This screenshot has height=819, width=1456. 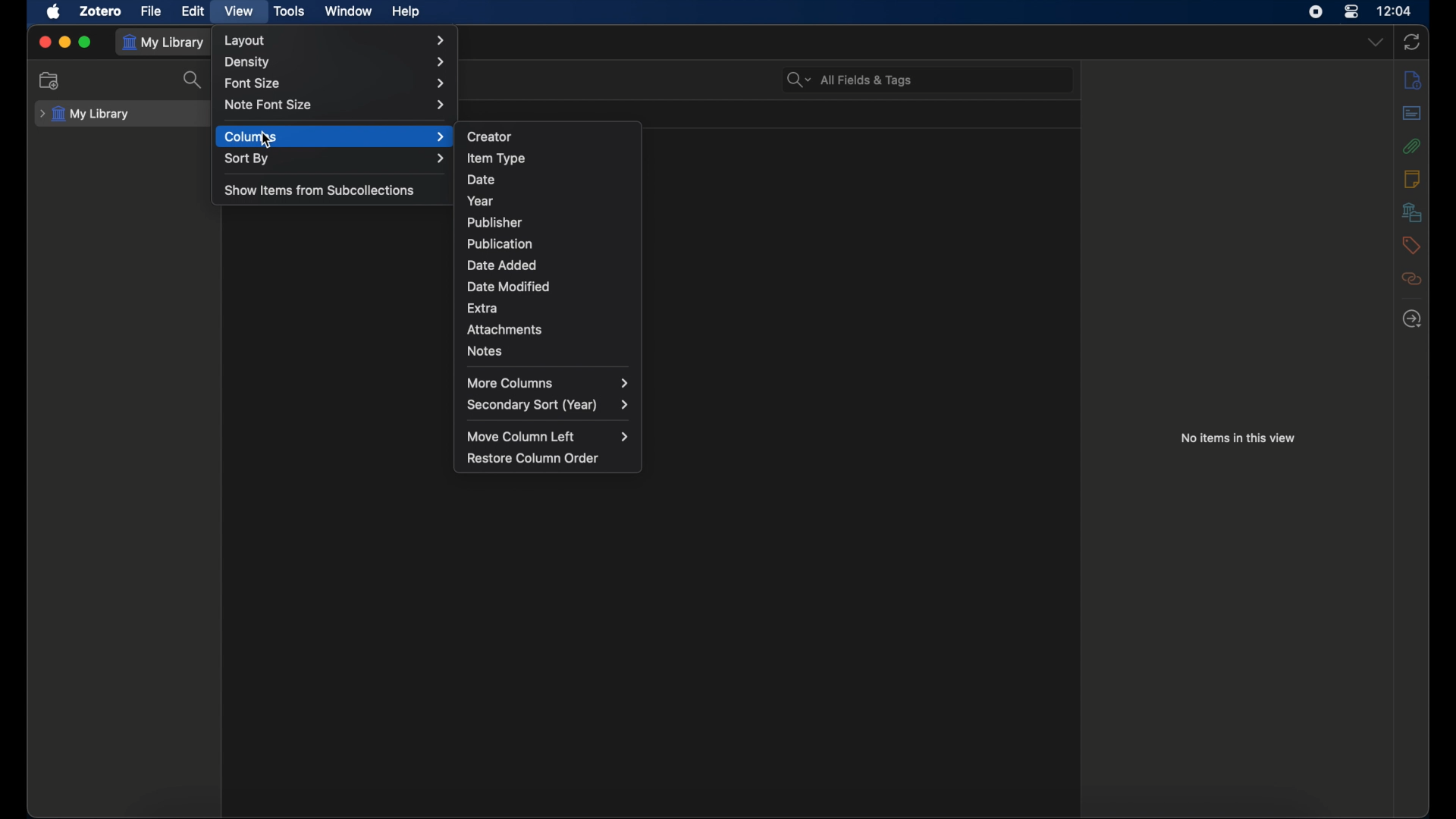 I want to click on control center, so click(x=1352, y=12).